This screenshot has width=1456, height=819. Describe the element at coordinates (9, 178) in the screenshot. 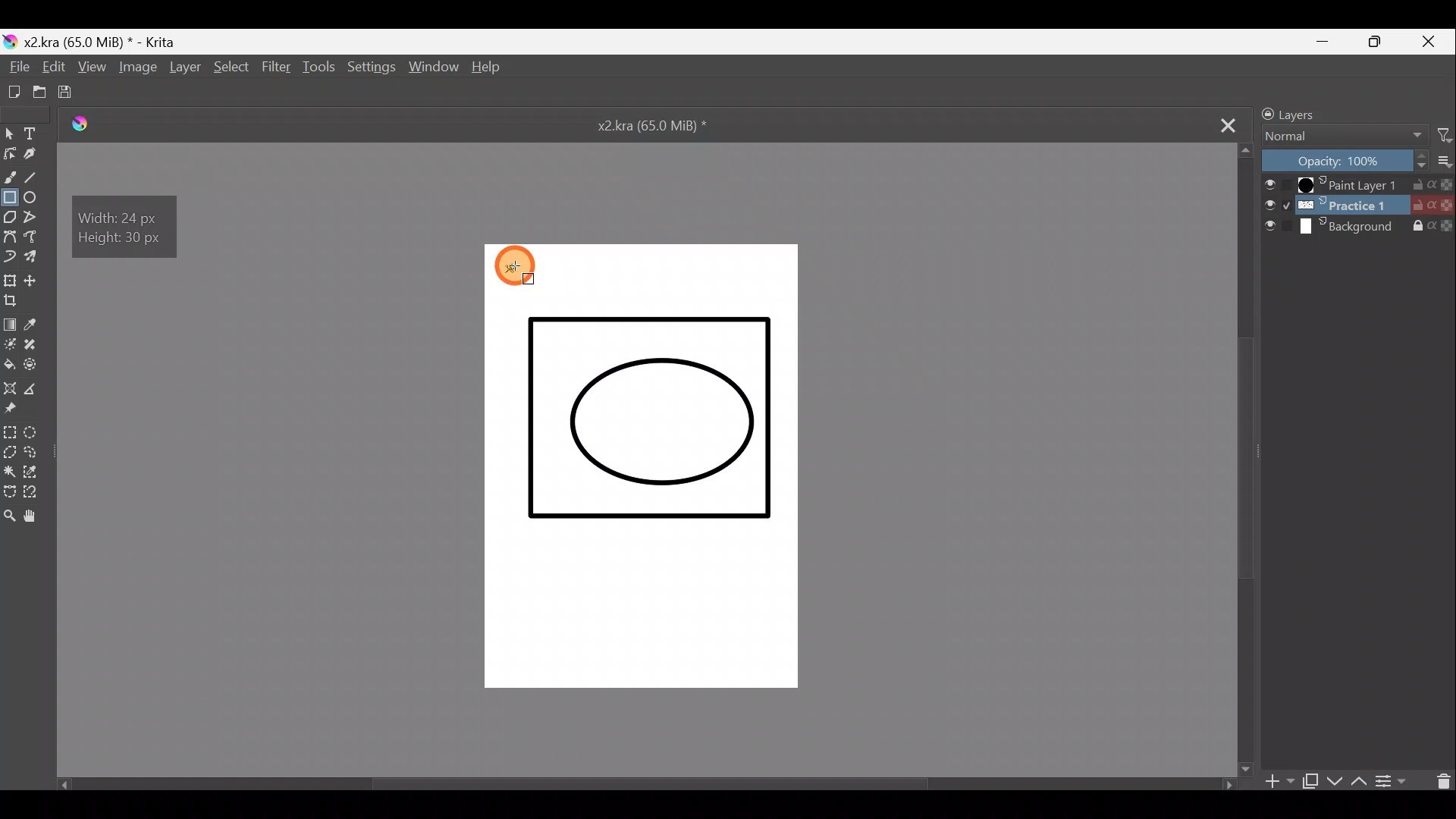

I see `Freehand brush tool` at that location.